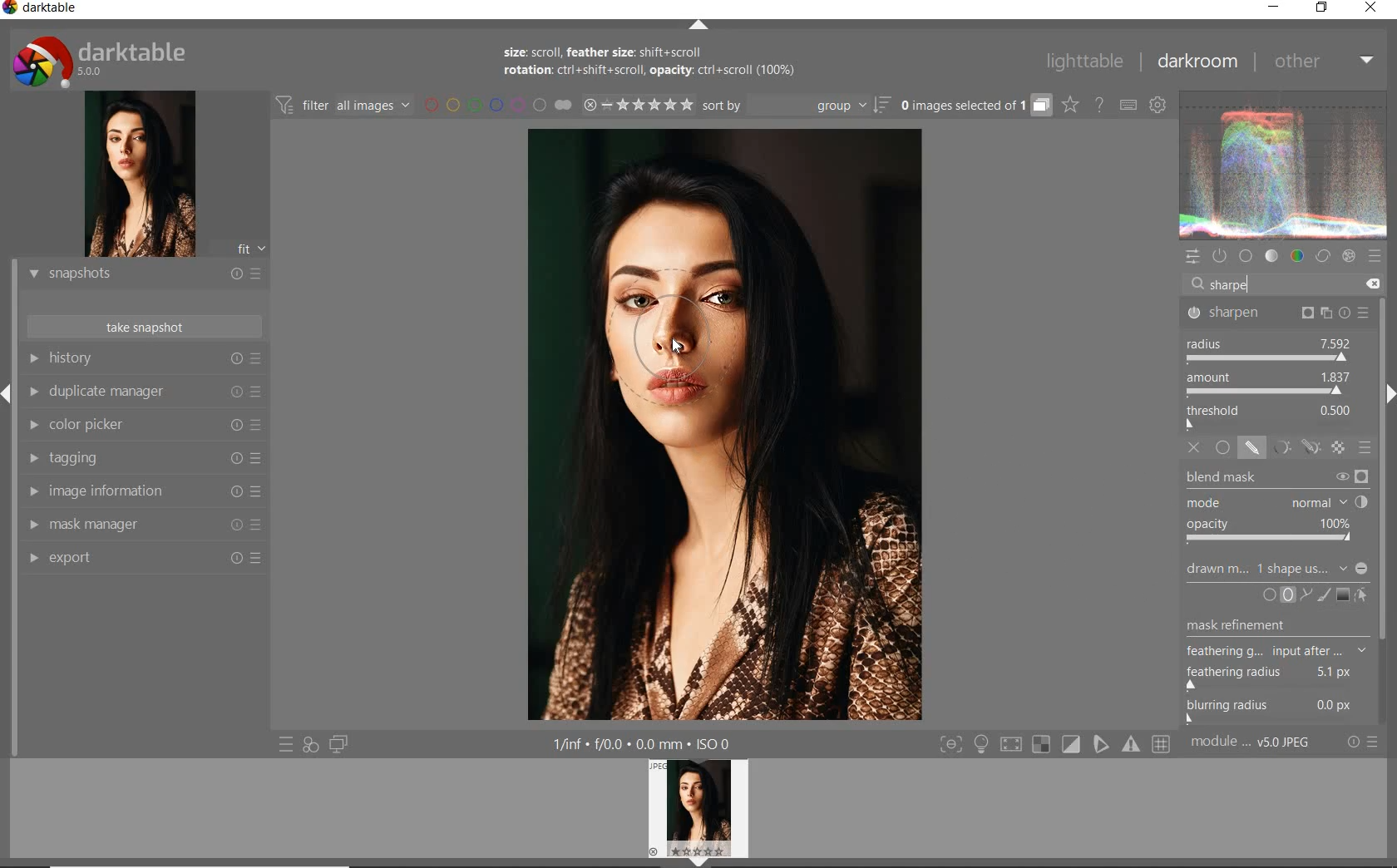  I want to click on quick access for applying any of your styles, so click(309, 746).